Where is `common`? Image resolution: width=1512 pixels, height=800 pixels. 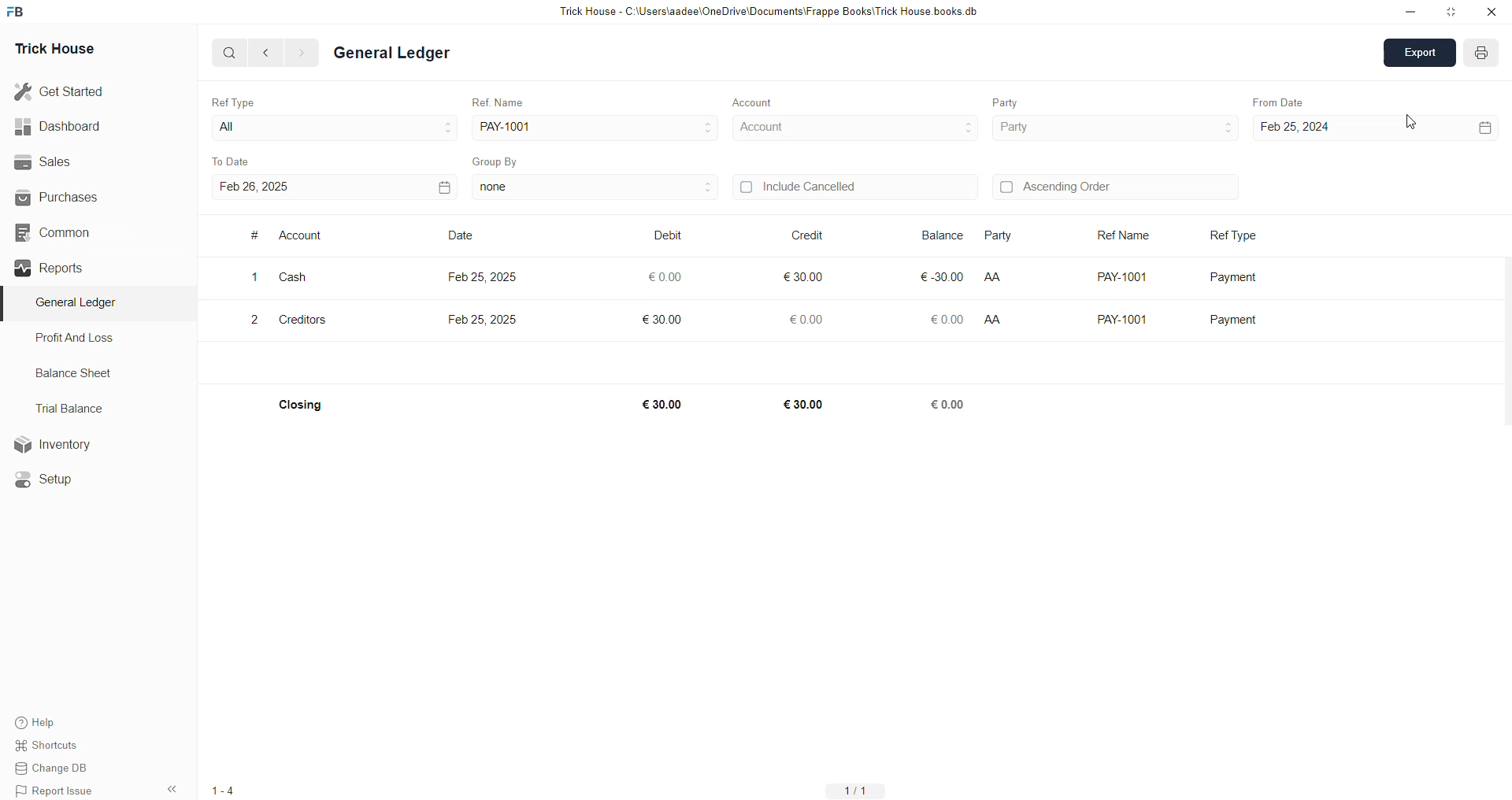 common is located at coordinates (55, 374).